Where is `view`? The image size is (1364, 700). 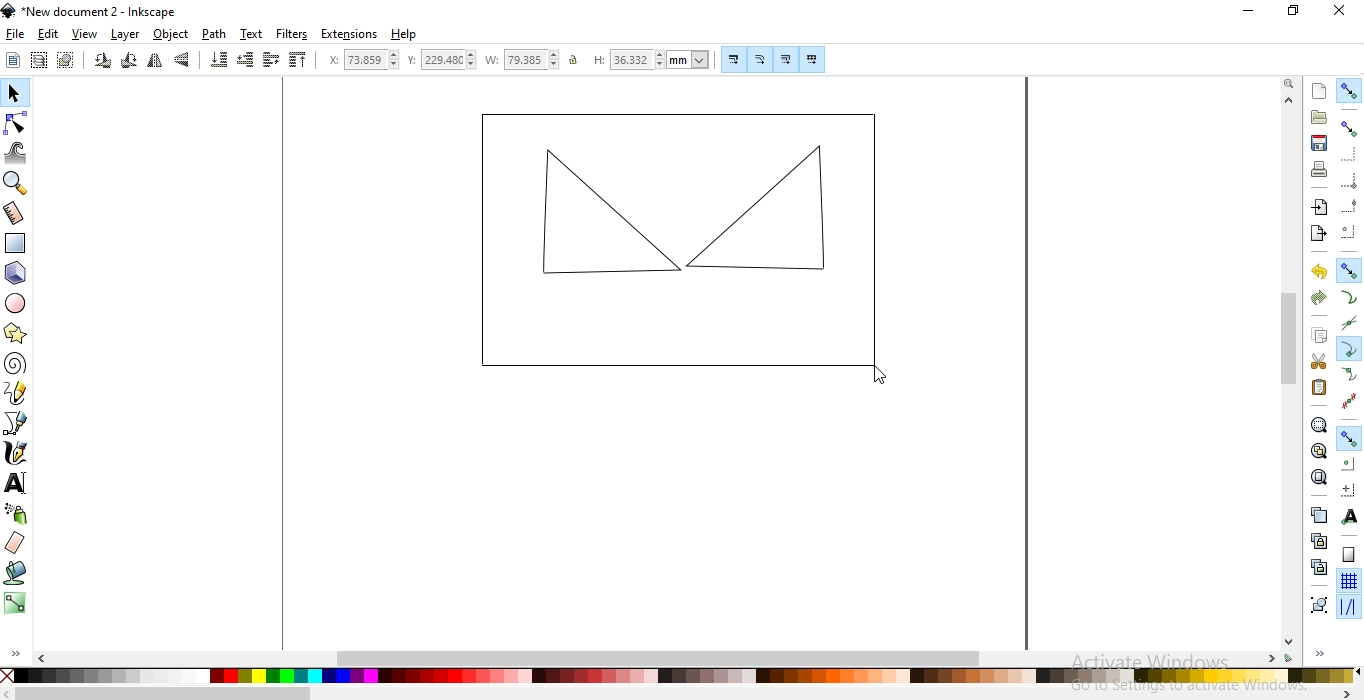 view is located at coordinates (85, 34).